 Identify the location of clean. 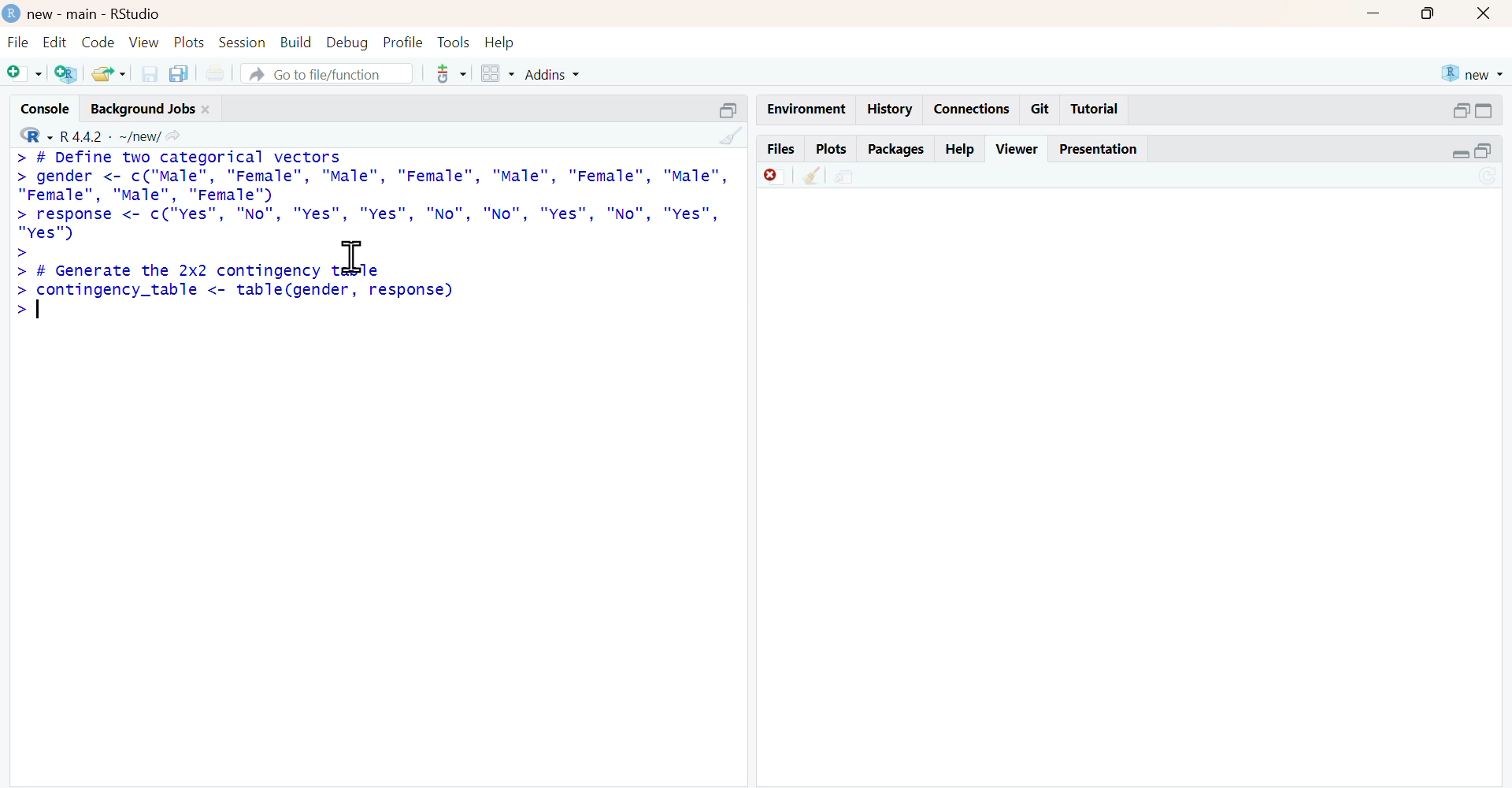
(812, 176).